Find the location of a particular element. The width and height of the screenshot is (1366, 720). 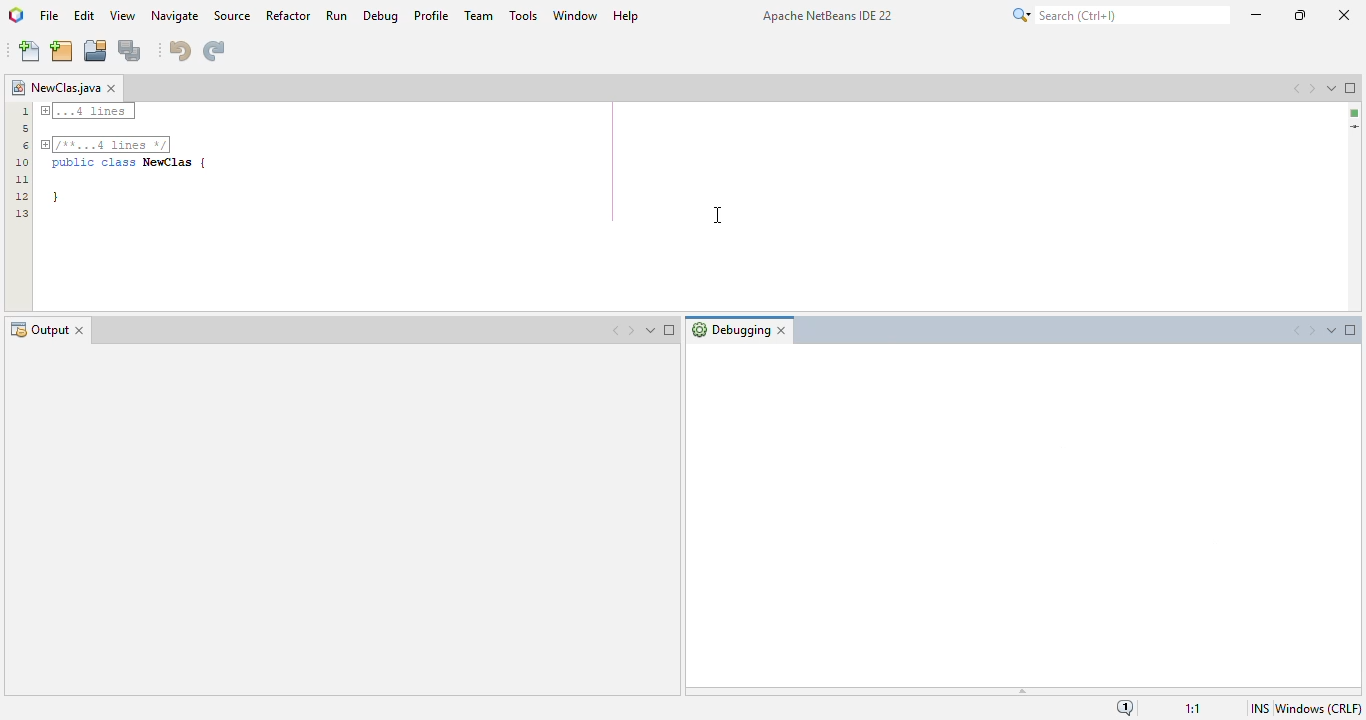

Apache NetBeans IDE 22 is located at coordinates (826, 16).